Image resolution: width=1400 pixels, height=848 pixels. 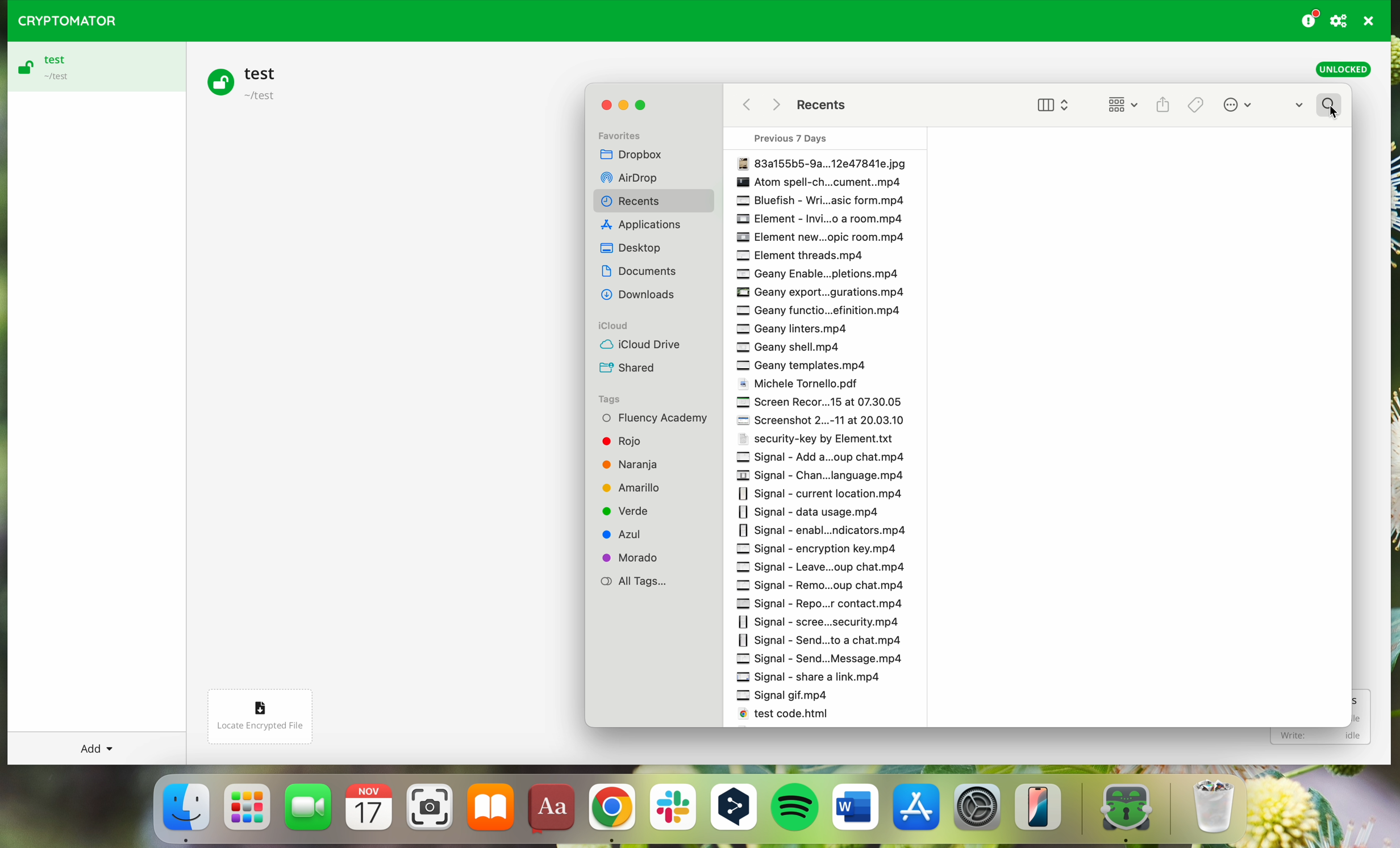 What do you see at coordinates (270, 711) in the screenshot?
I see `locate encrypted file button` at bounding box center [270, 711].